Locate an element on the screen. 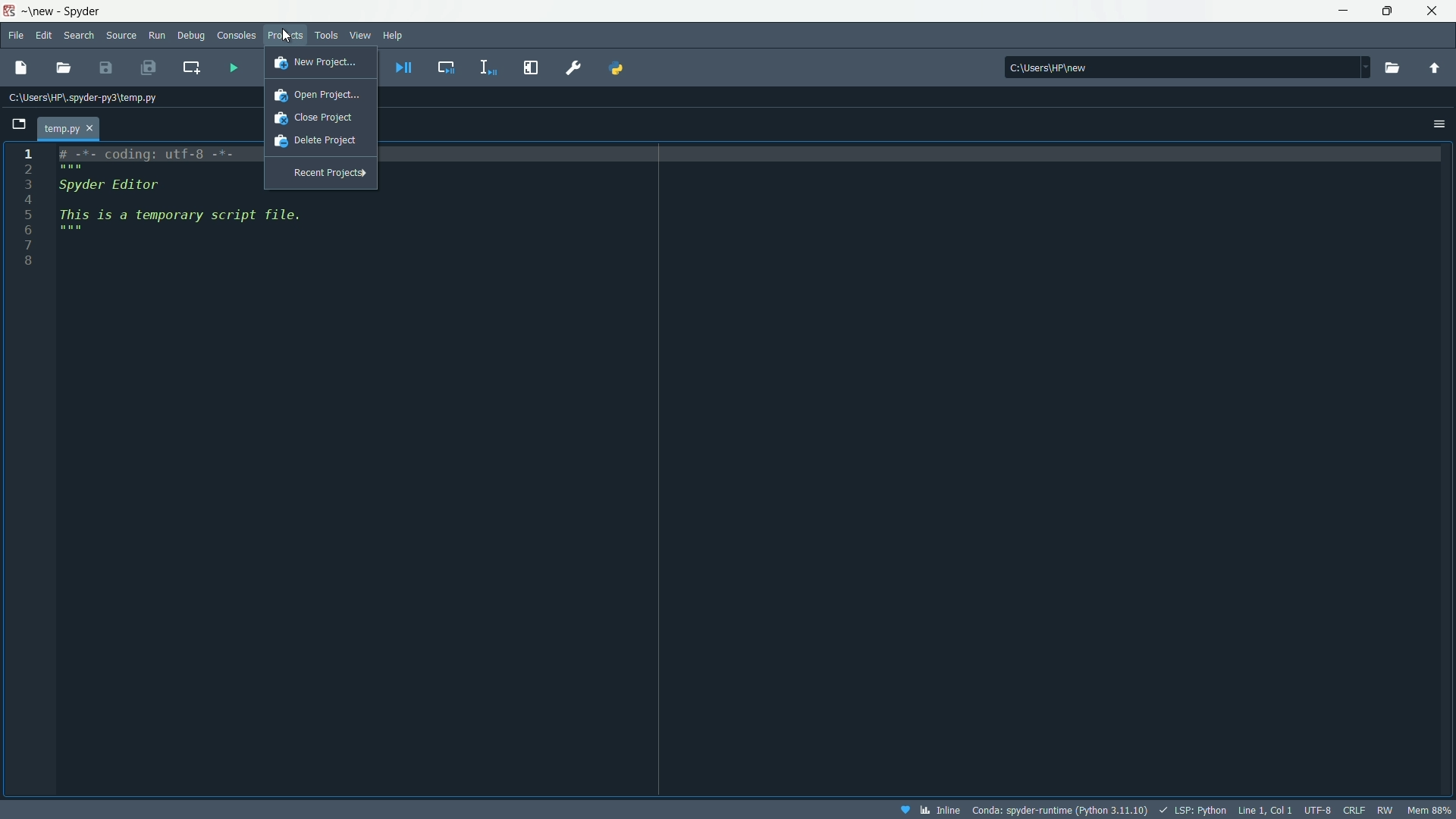 The width and height of the screenshot is (1456, 819). Debug Menu is located at coordinates (190, 37).